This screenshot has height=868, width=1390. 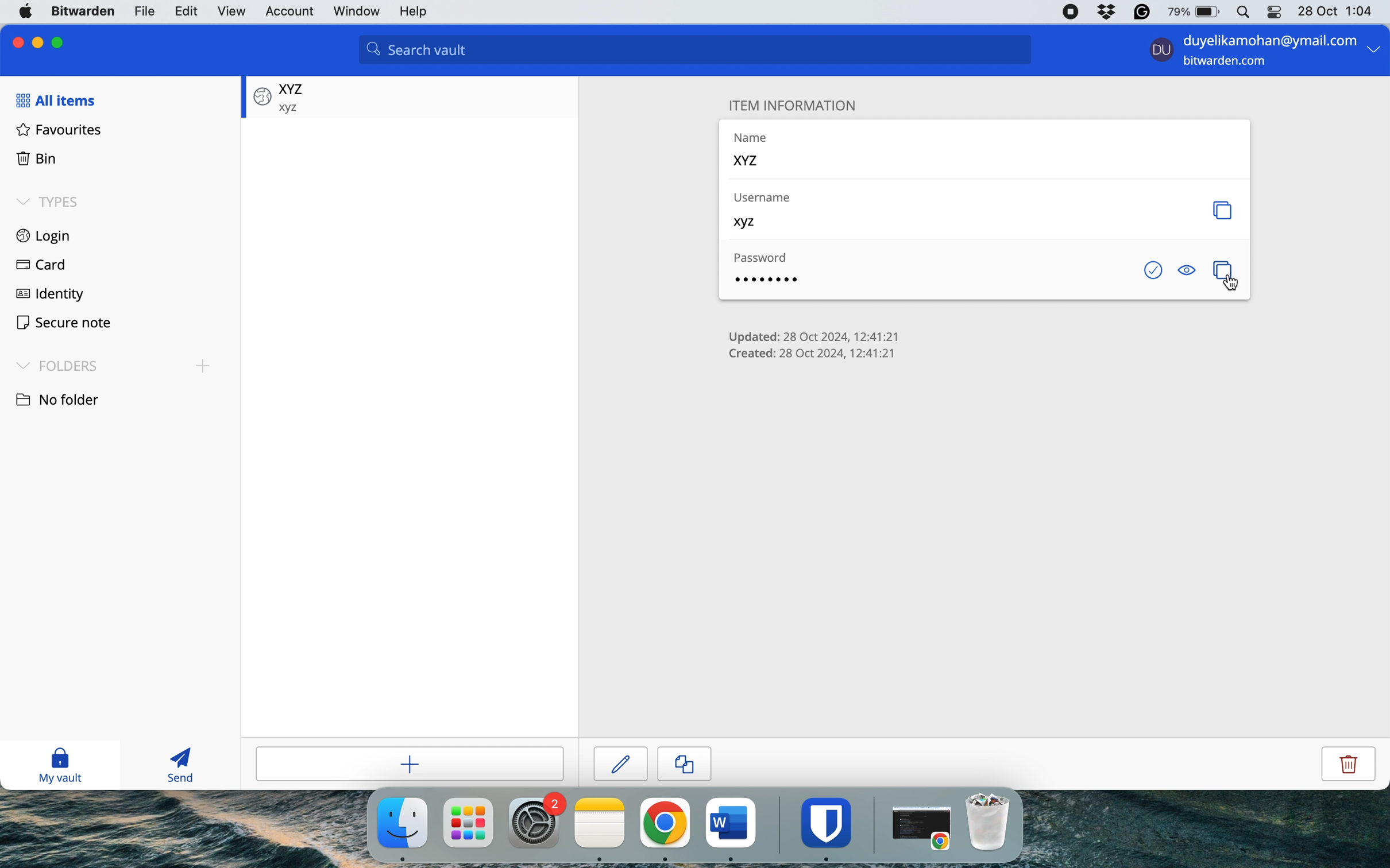 What do you see at coordinates (36, 157) in the screenshot?
I see `bin` at bounding box center [36, 157].